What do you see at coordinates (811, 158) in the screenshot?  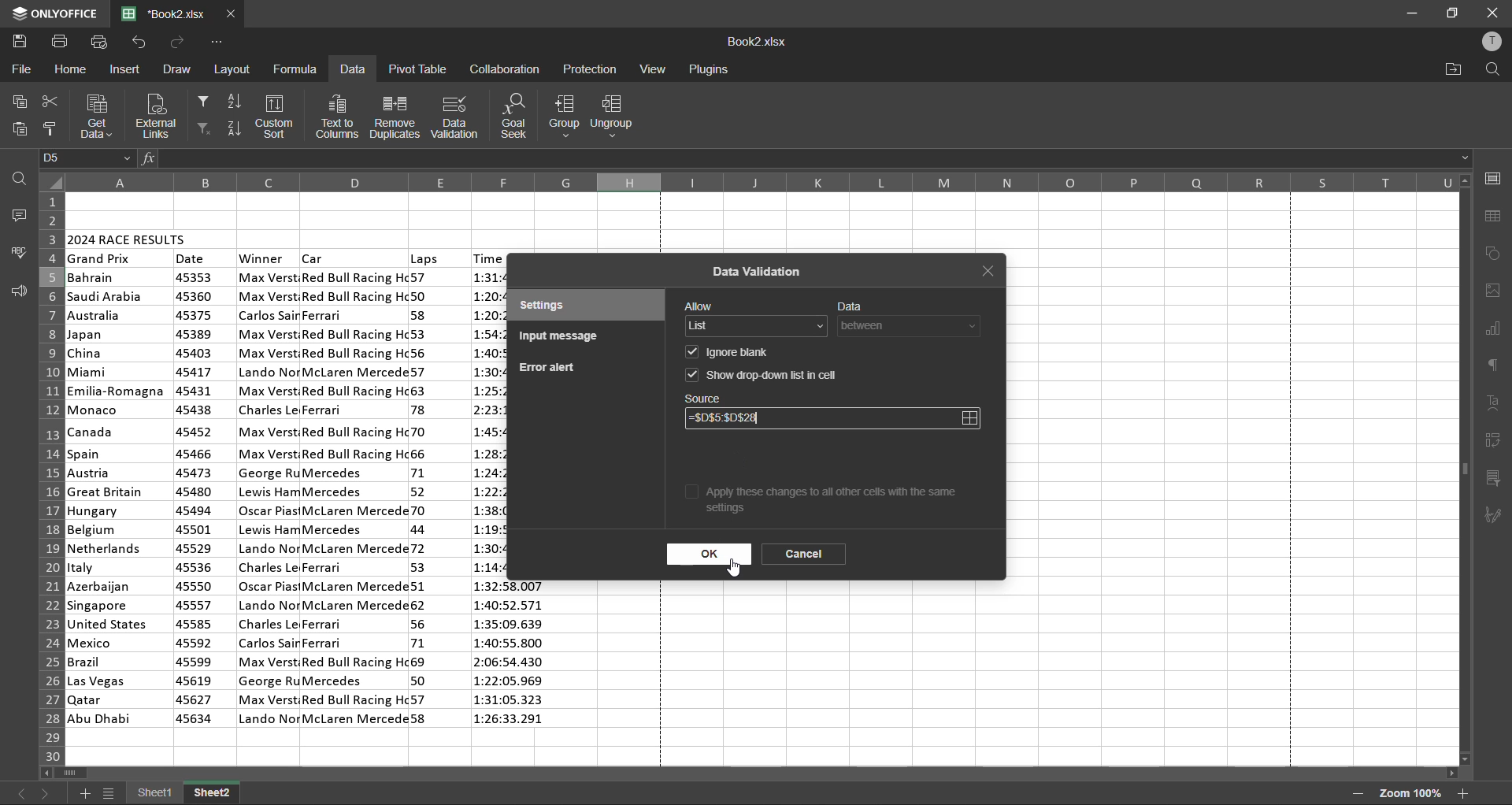 I see `formula bar` at bounding box center [811, 158].